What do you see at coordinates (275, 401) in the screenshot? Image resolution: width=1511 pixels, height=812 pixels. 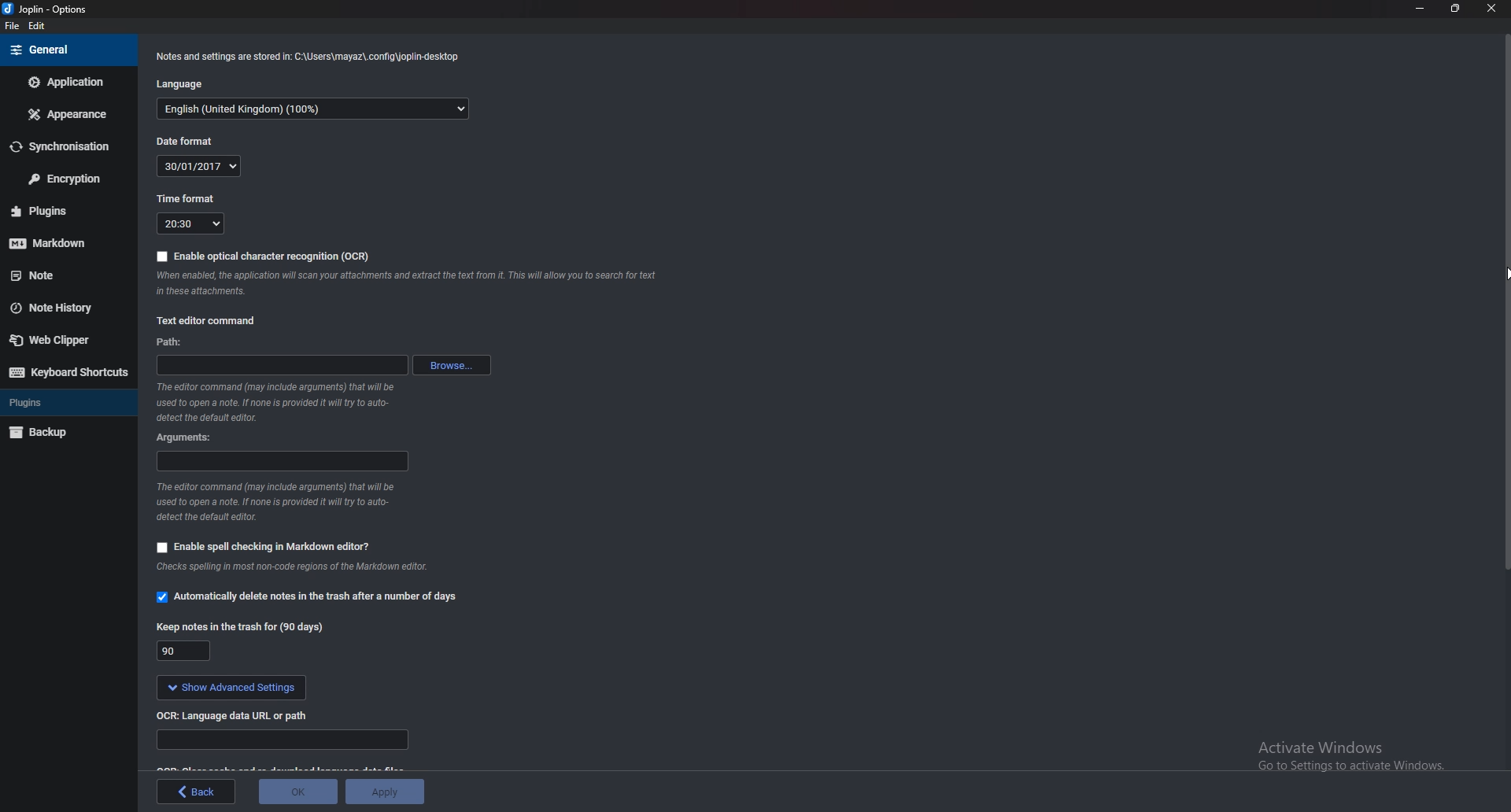 I see `Info` at bounding box center [275, 401].